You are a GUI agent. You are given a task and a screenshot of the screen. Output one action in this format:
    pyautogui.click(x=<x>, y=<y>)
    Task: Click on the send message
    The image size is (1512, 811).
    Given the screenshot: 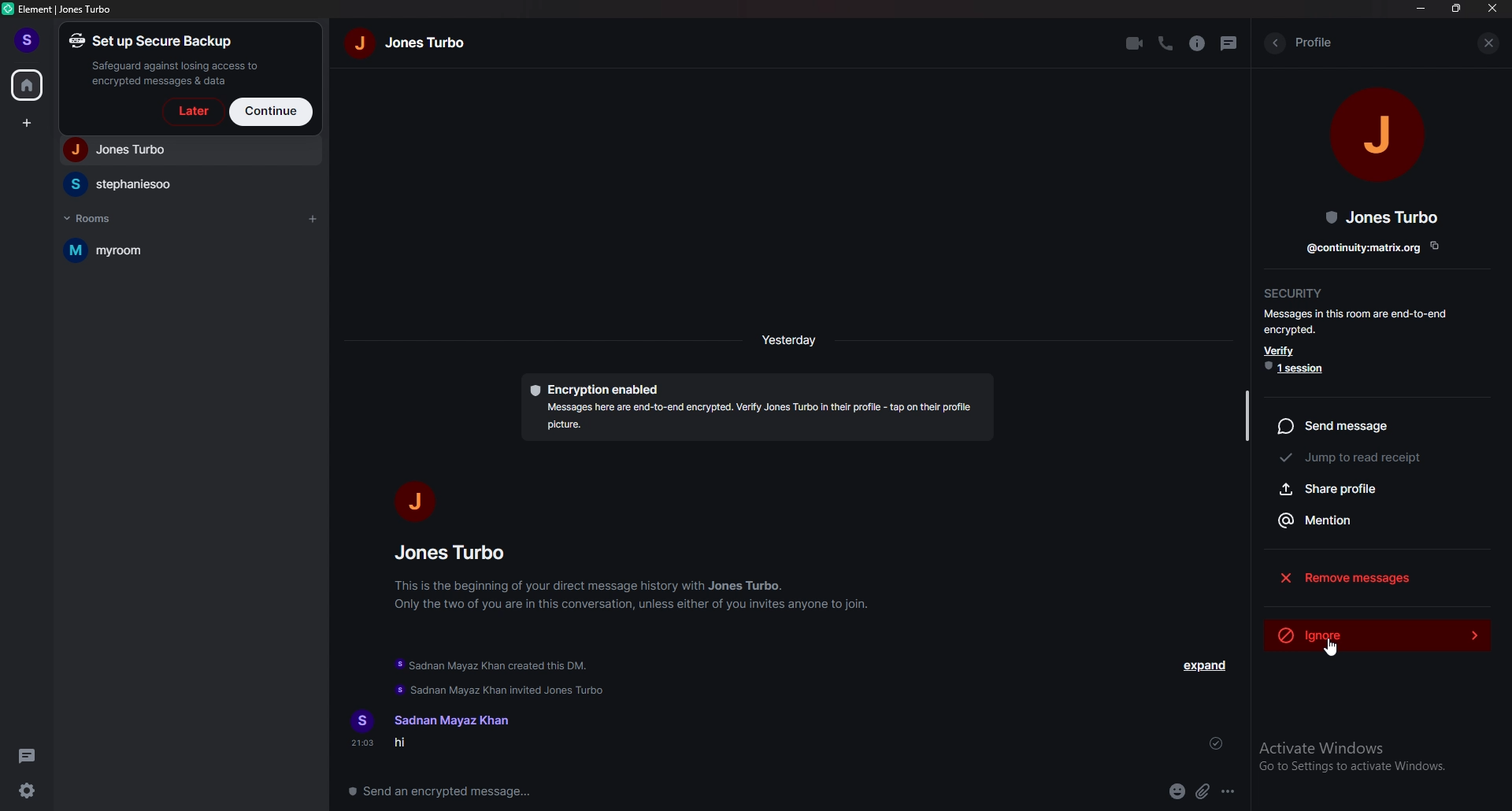 What is the action you would take?
    pyautogui.click(x=1372, y=424)
    